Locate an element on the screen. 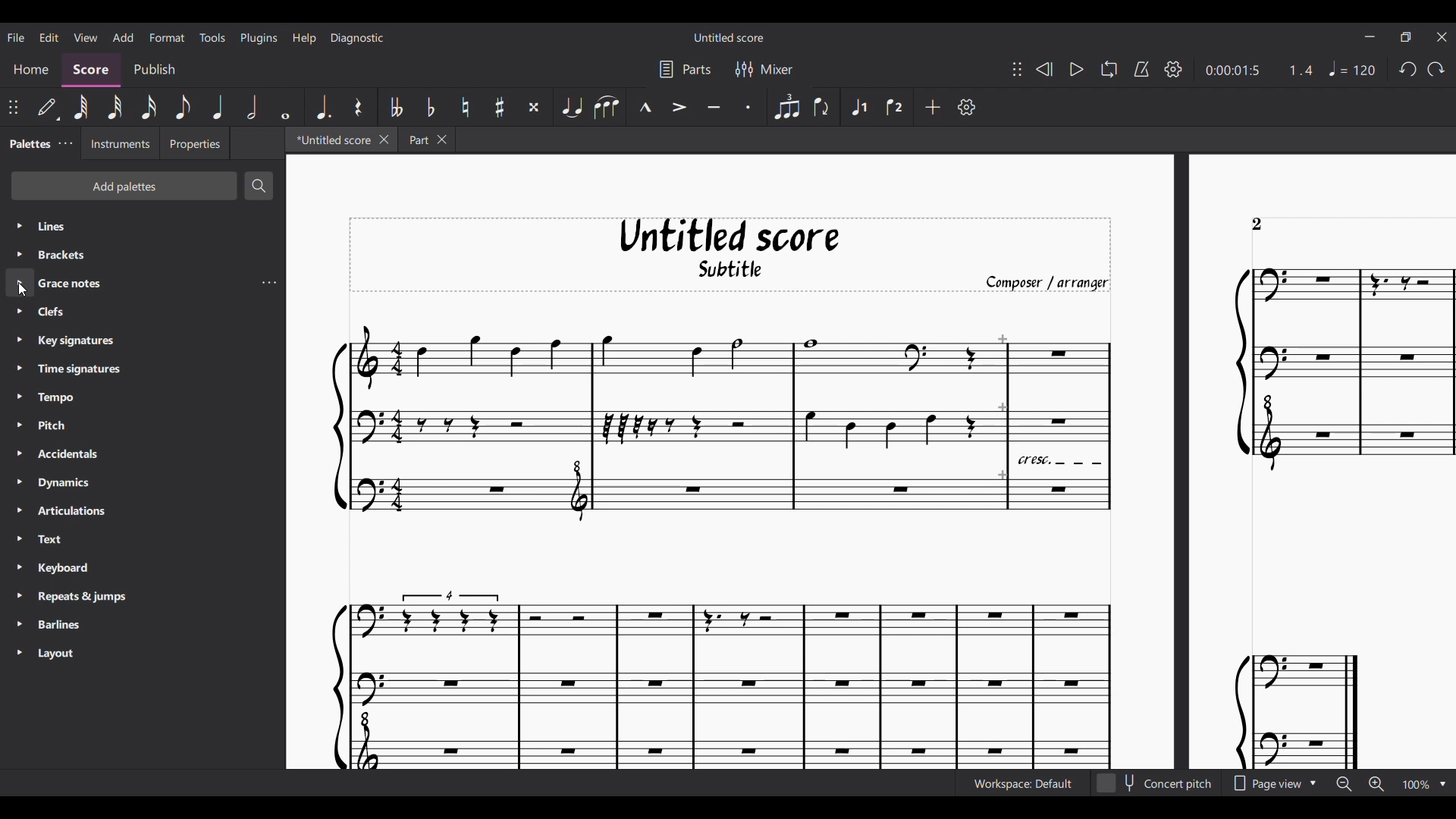 Image resolution: width=1456 pixels, height=819 pixels. Current zoom factor is located at coordinates (1416, 784).